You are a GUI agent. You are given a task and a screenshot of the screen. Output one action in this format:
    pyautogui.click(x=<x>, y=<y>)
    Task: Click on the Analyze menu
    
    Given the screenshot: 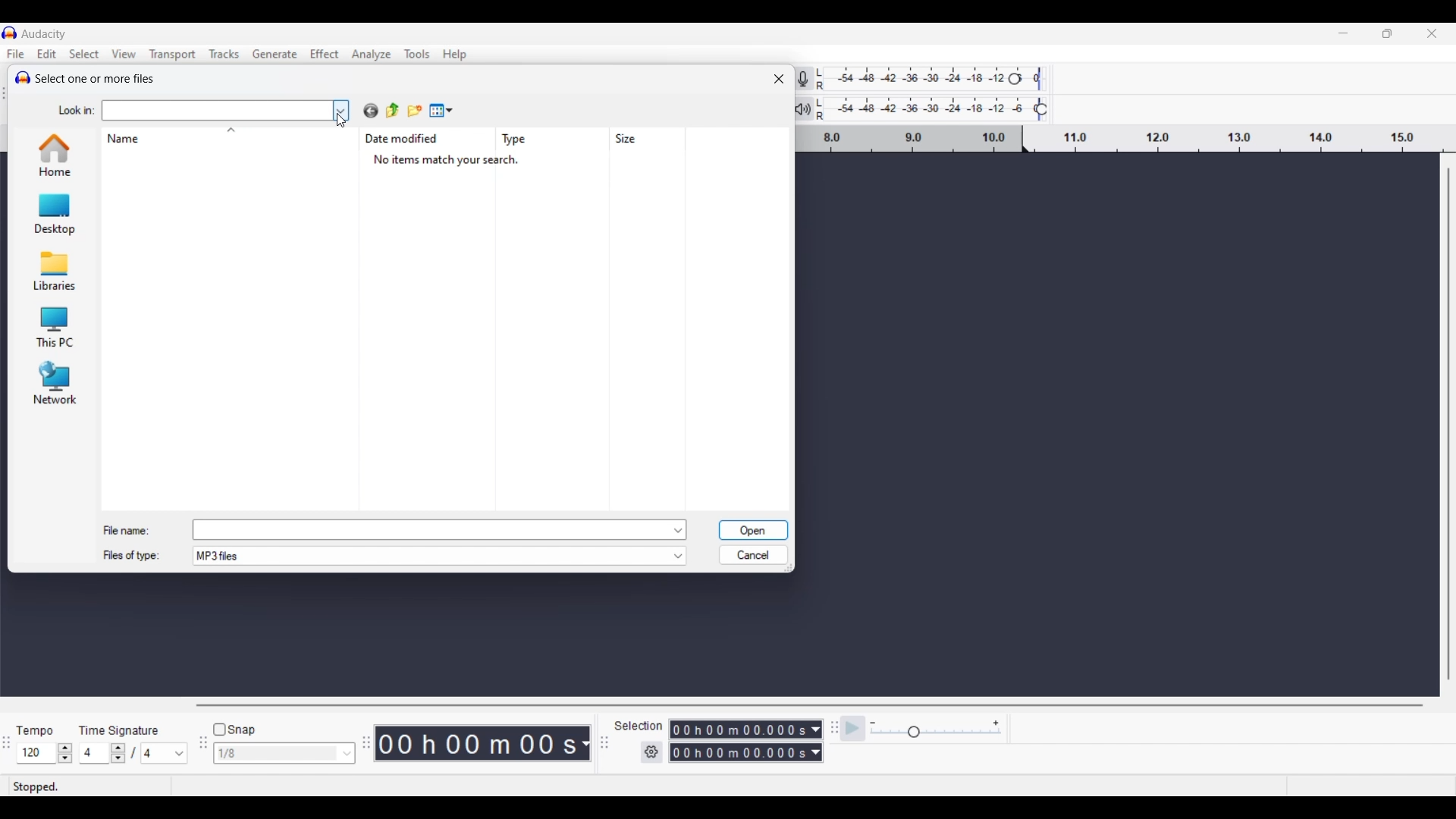 What is the action you would take?
    pyautogui.click(x=371, y=55)
    